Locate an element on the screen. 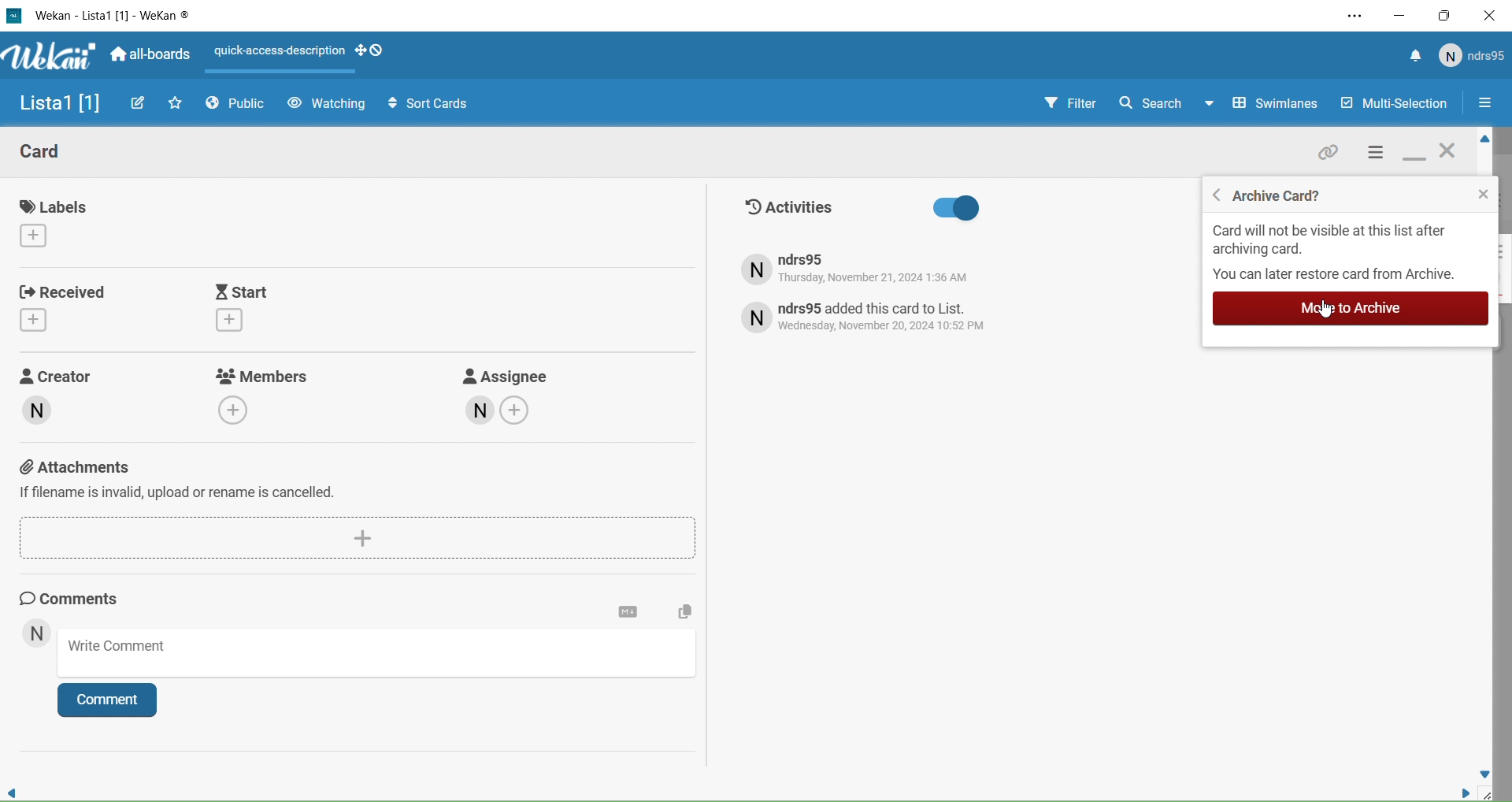 The height and width of the screenshot is (802, 1512). add is located at coordinates (357, 534).